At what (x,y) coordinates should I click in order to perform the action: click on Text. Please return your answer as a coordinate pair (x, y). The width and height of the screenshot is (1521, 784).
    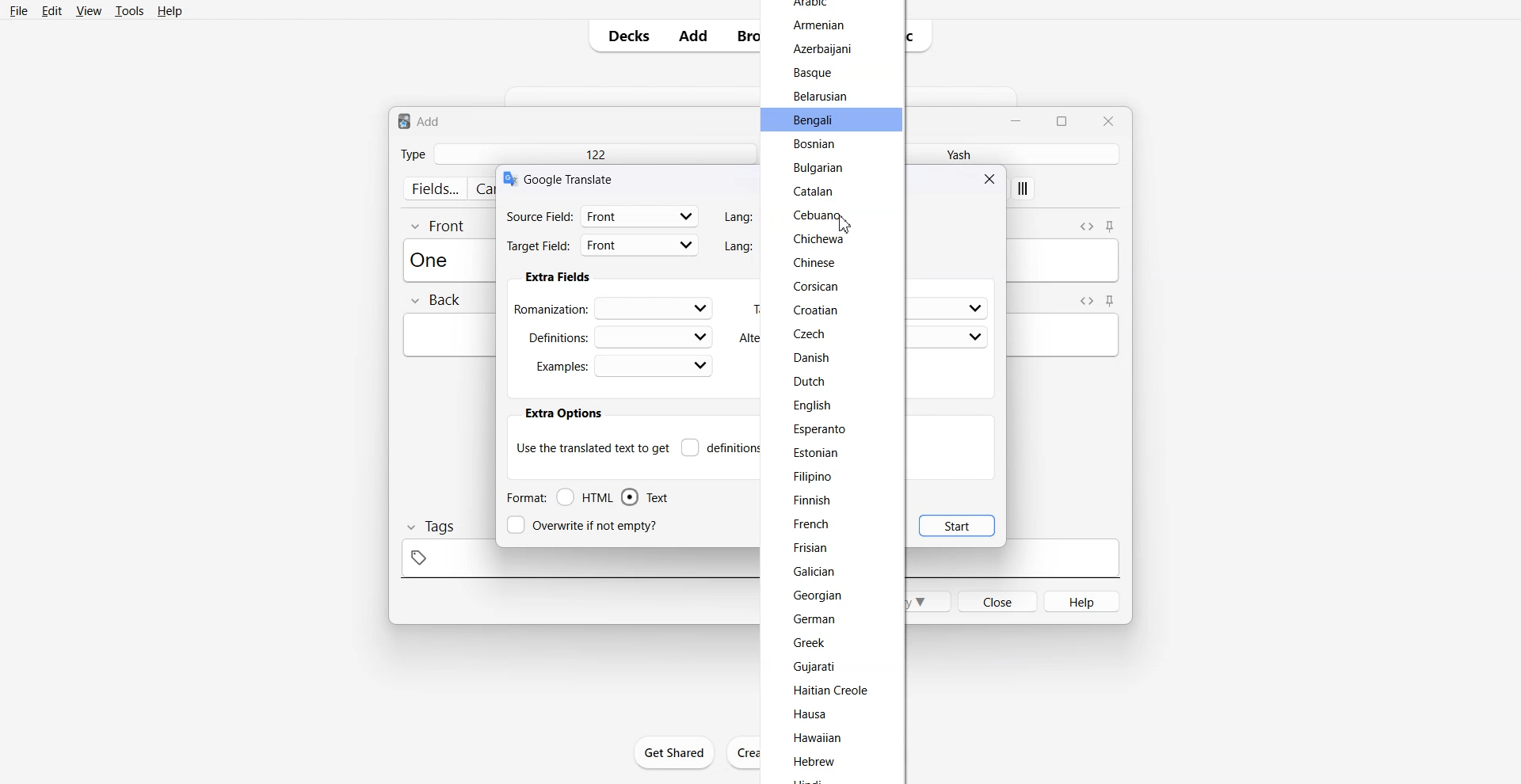
    Looking at the image, I should click on (645, 497).